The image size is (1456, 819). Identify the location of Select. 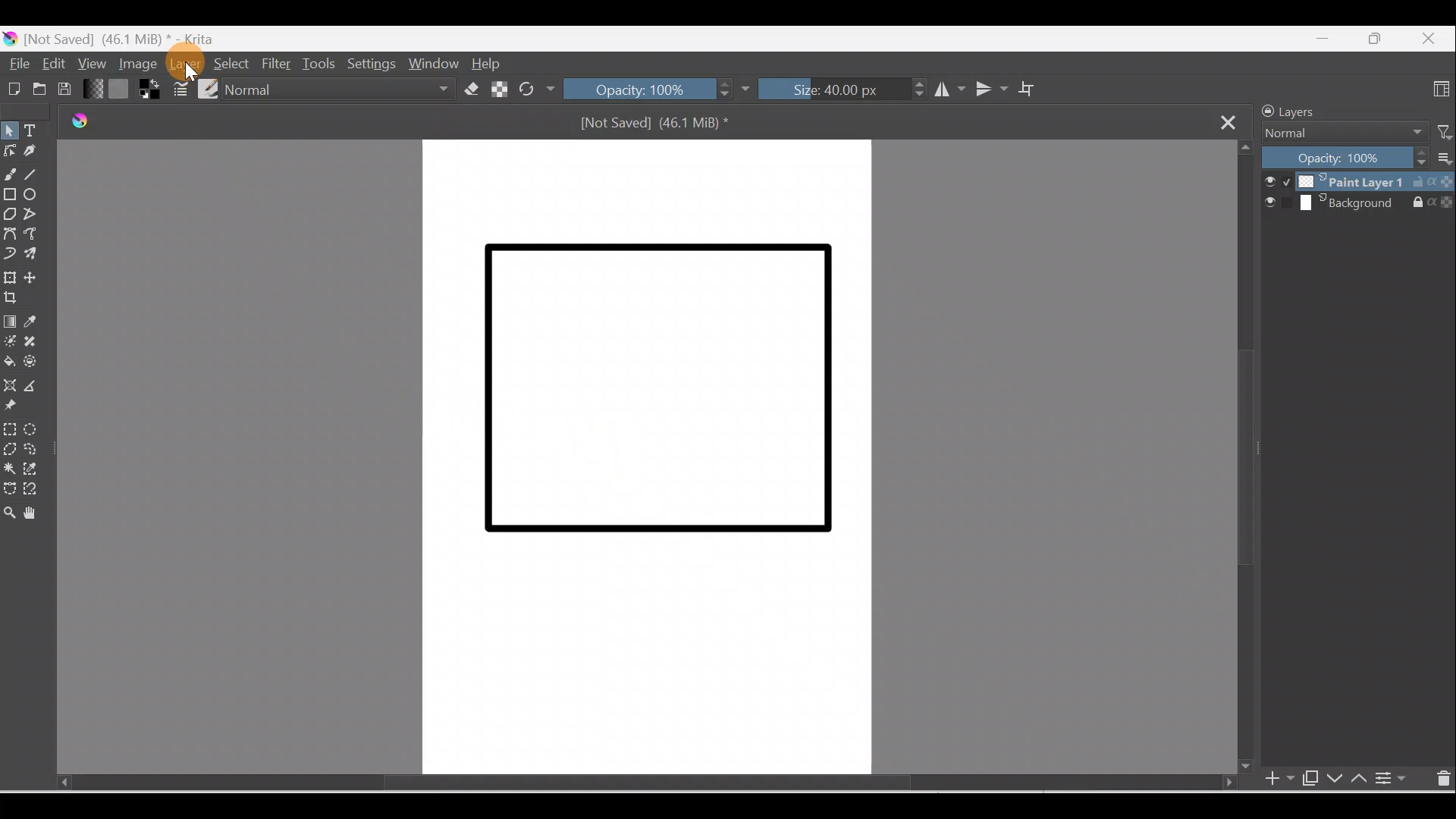
(231, 61).